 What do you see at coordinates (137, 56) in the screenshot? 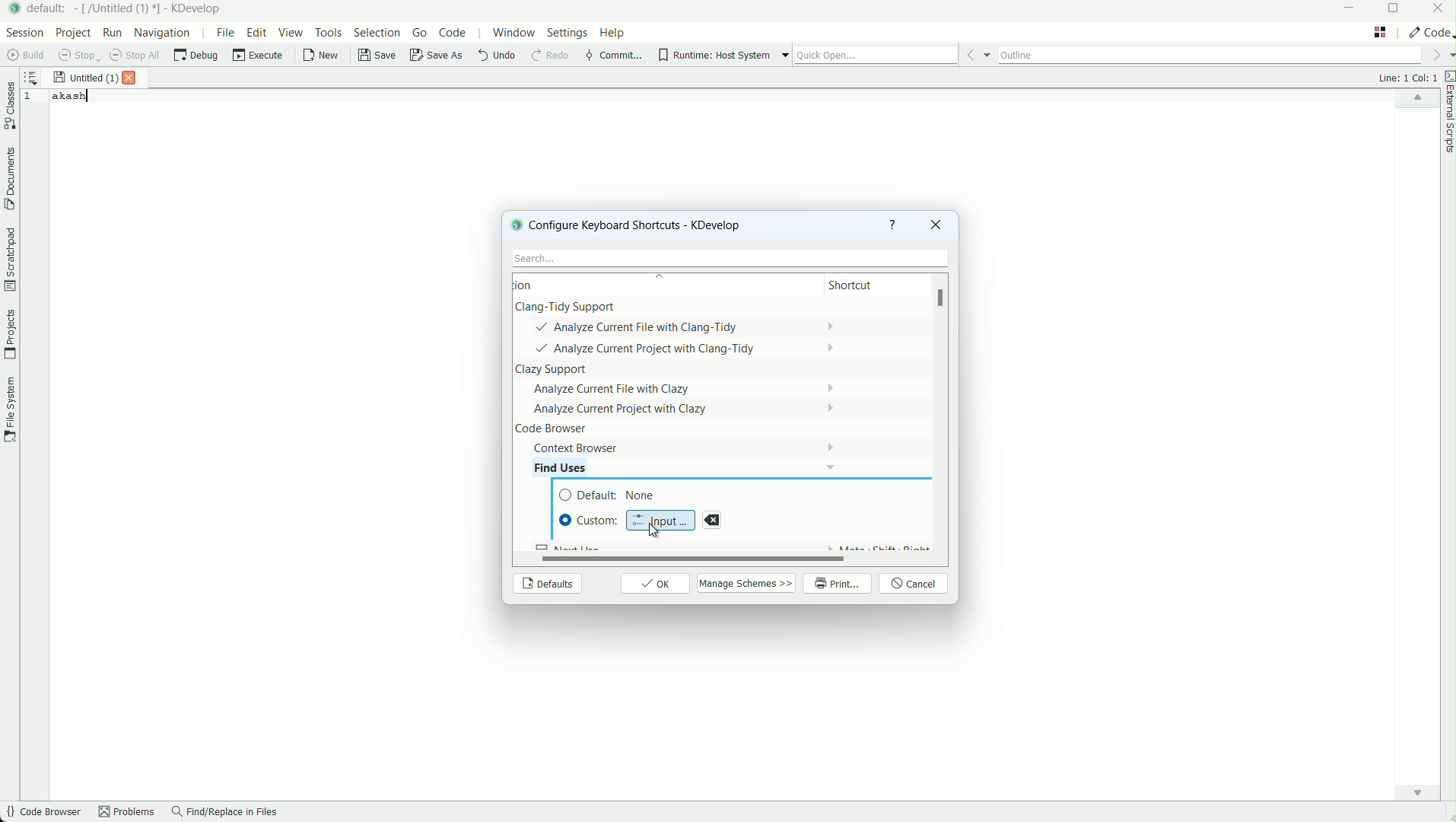
I see `stop all` at bounding box center [137, 56].